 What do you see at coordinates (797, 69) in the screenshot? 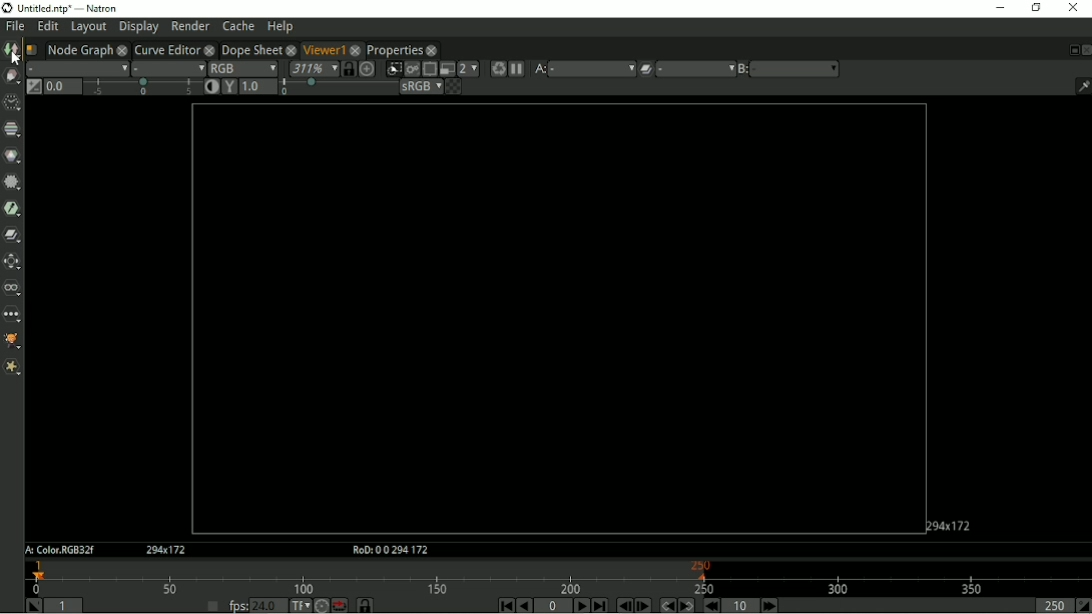
I see `b menu` at bounding box center [797, 69].